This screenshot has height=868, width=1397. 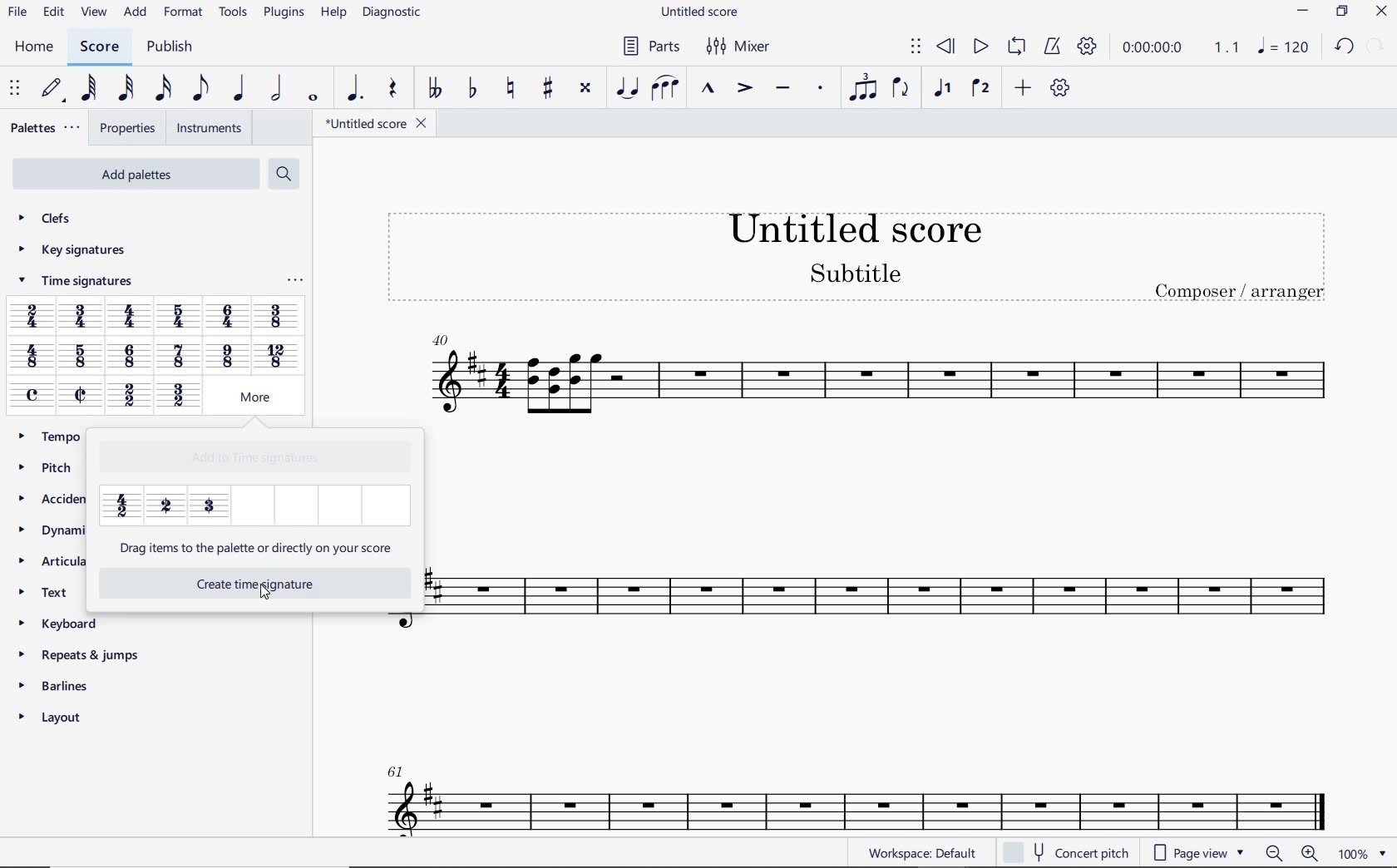 I want to click on 2/2, so click(x=128, y=397).